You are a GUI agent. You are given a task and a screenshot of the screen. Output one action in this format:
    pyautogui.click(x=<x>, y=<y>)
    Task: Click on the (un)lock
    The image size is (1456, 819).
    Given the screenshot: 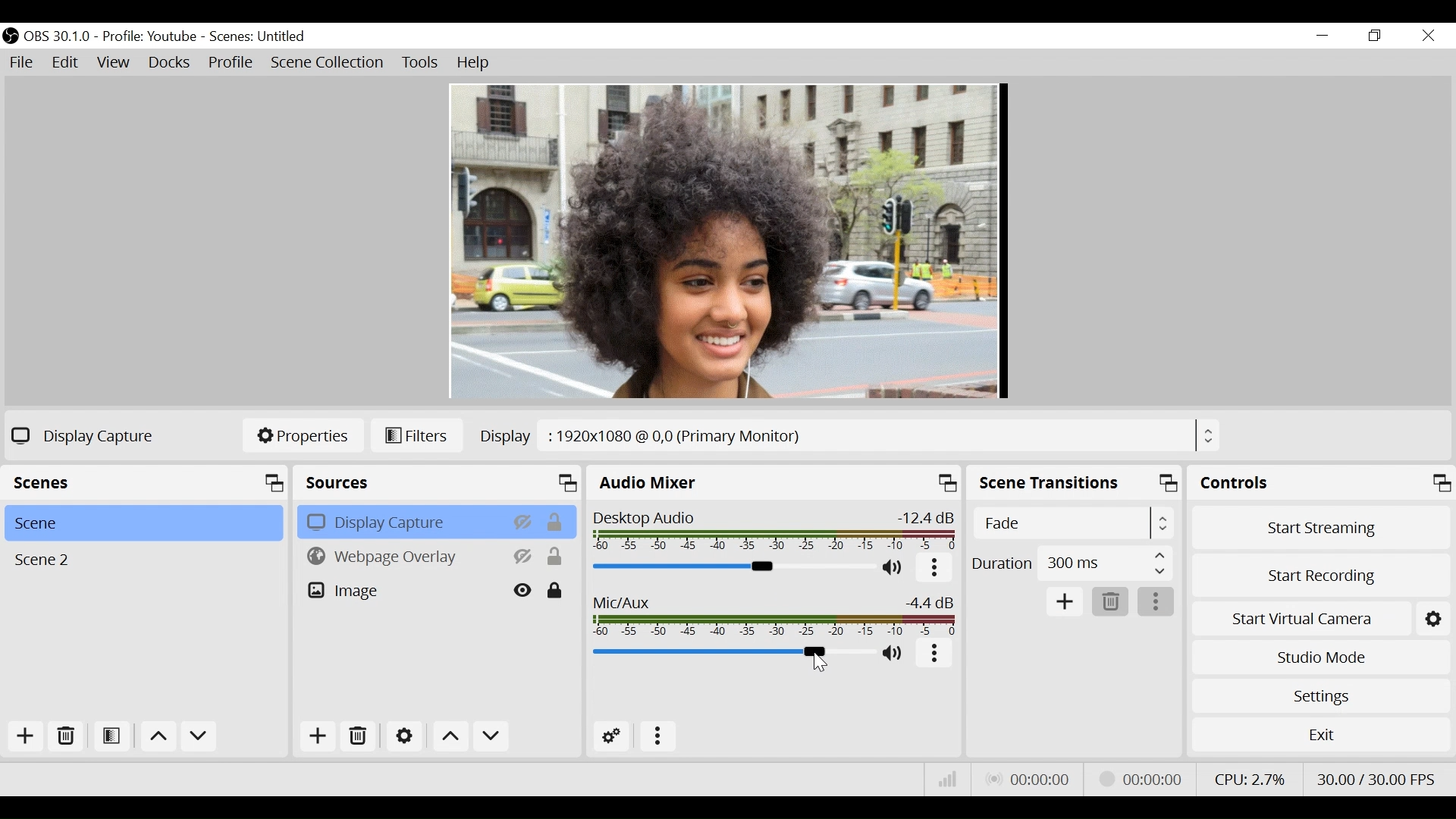 What is the action you would take?
    pyautogui.click(x=556, y=557)
    